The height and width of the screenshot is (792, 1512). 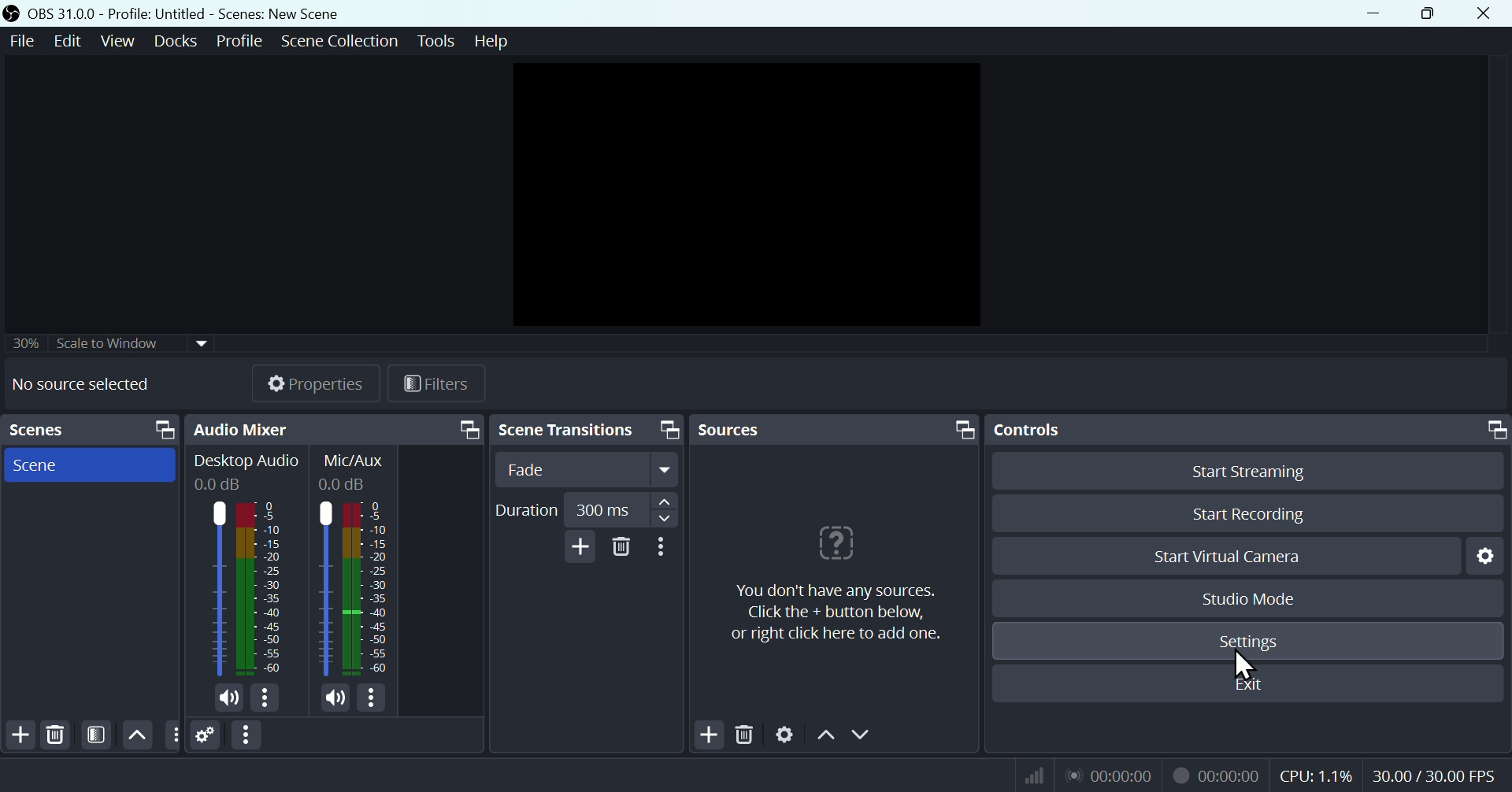 What do you see at coordinates (77, 385) in the screenshot?
I see `No sorces selected` at bounding box center [77, 385].